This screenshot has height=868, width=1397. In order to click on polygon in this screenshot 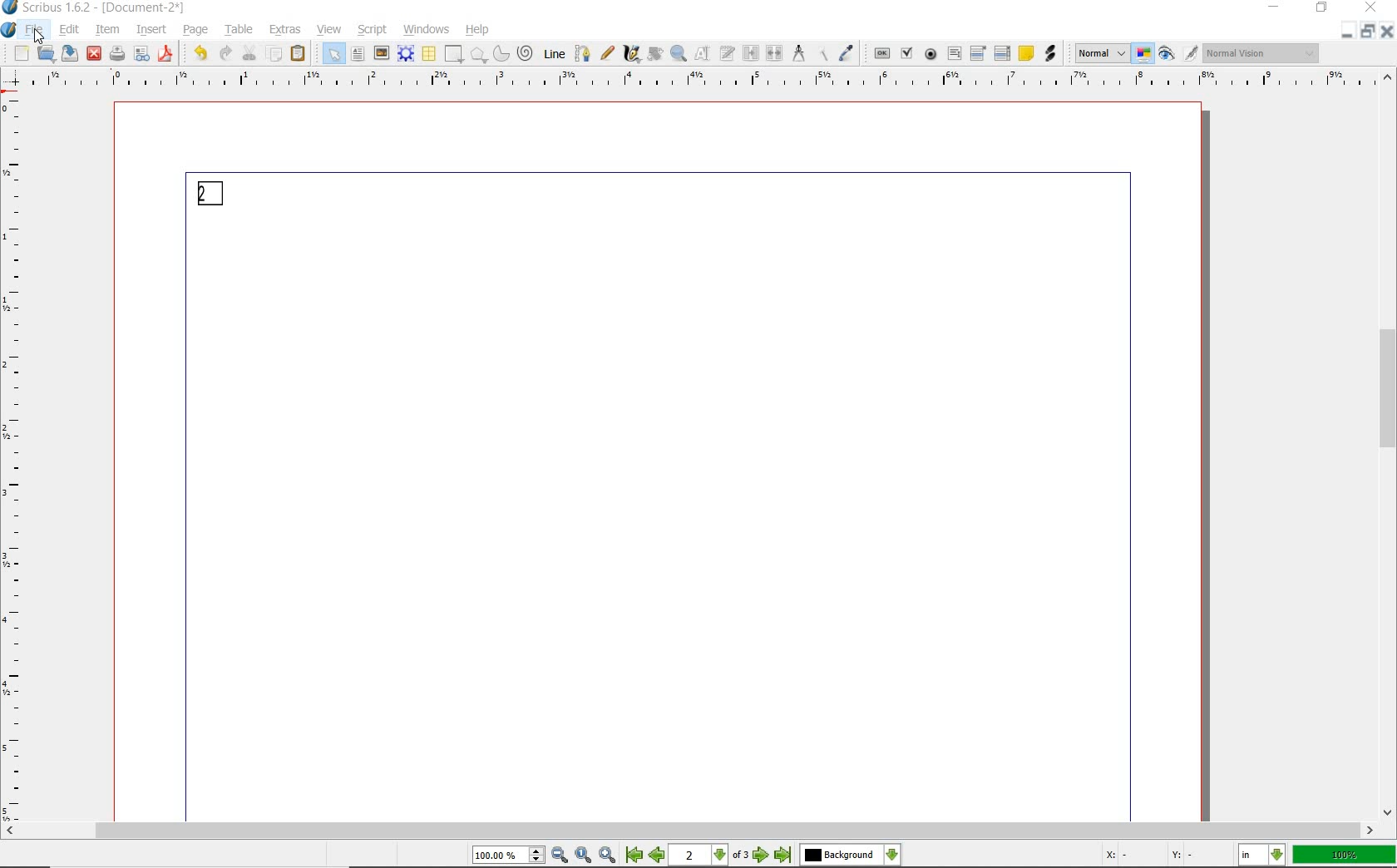, I will do `click(478, 55)`.